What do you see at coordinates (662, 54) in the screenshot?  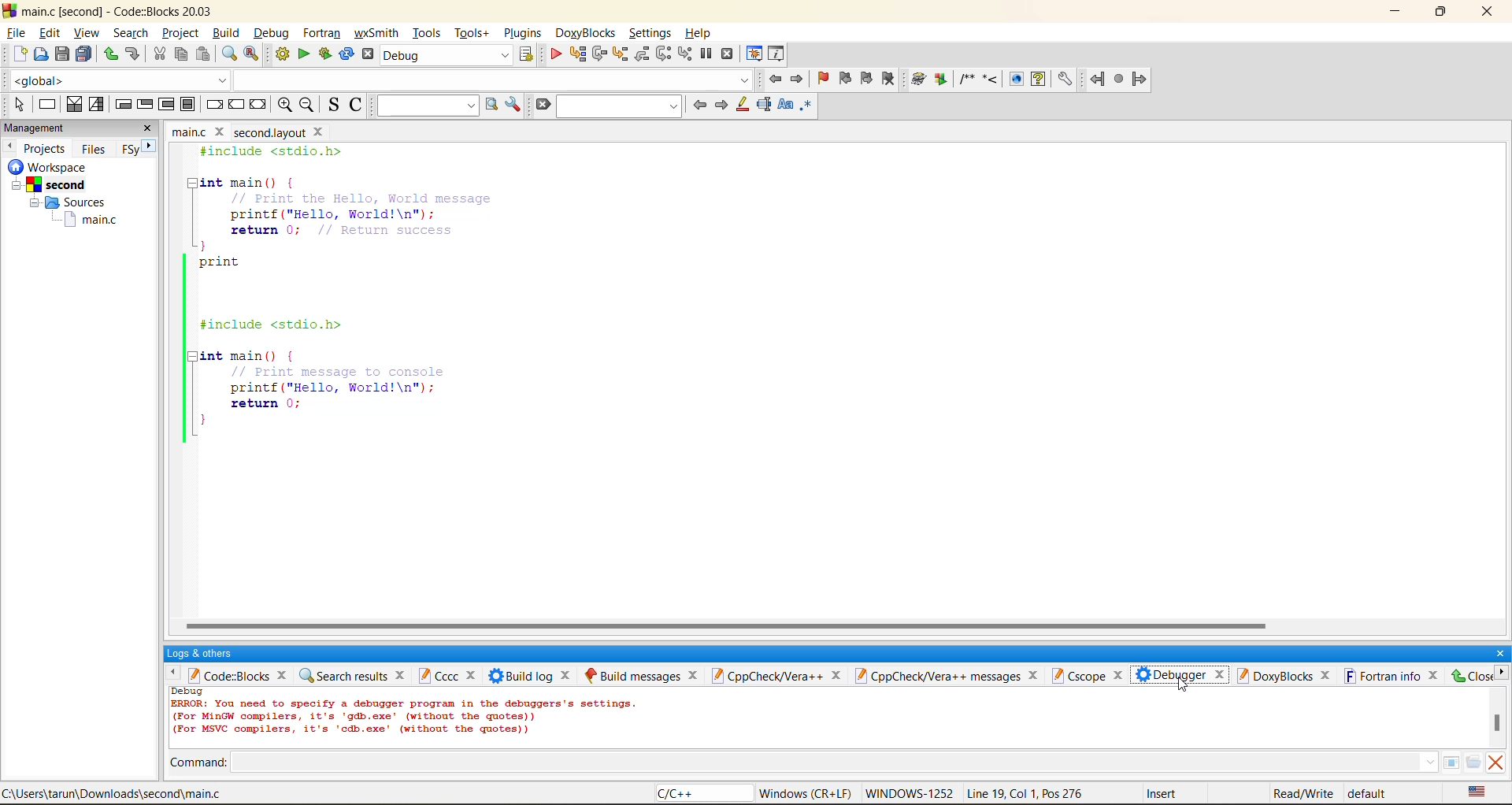 I see `next instruction` at bounding box center [662, 54].